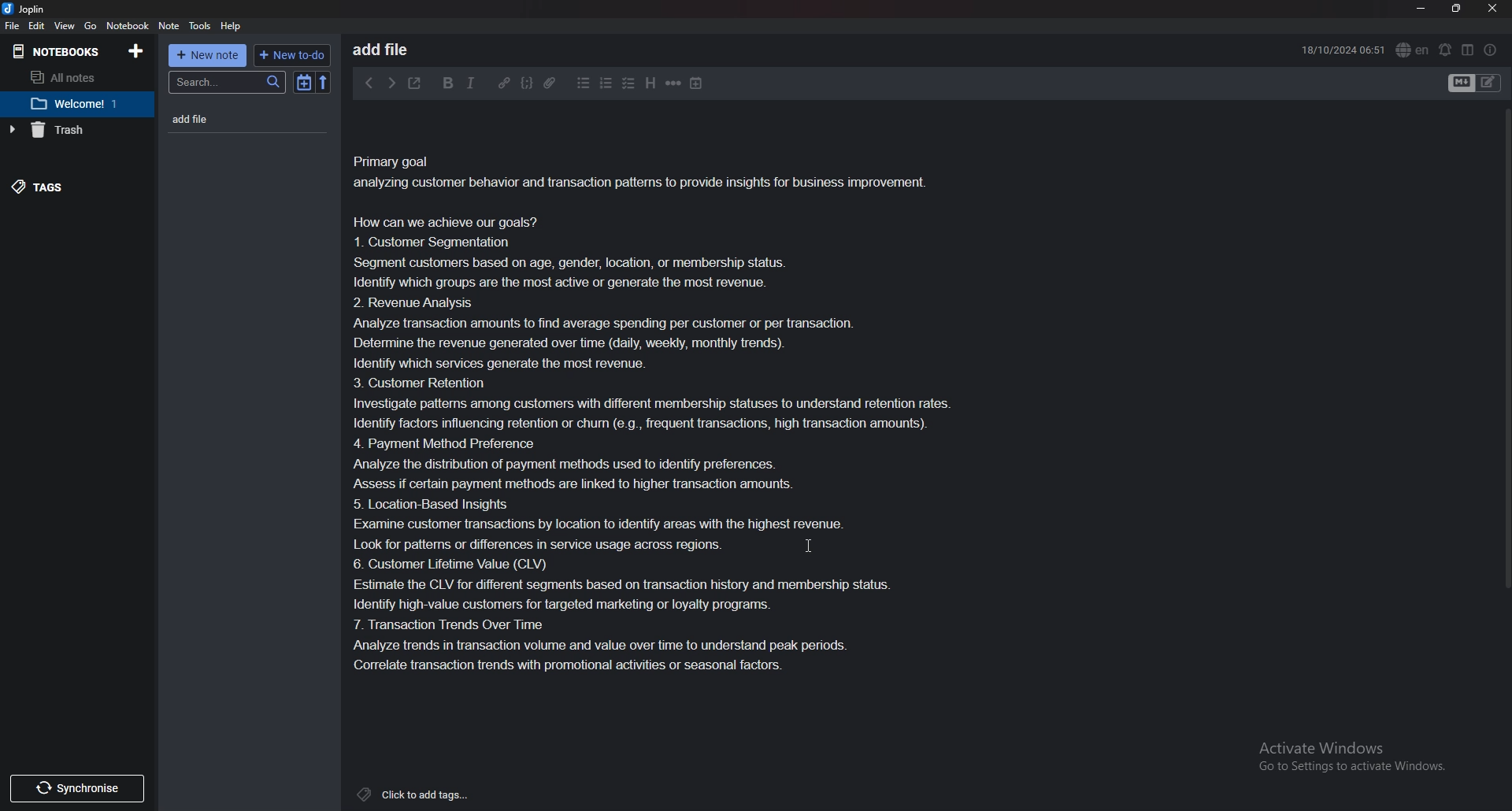  Describe the element at coordinates (90, 27) in the screenshot. I see `Go` at that location.